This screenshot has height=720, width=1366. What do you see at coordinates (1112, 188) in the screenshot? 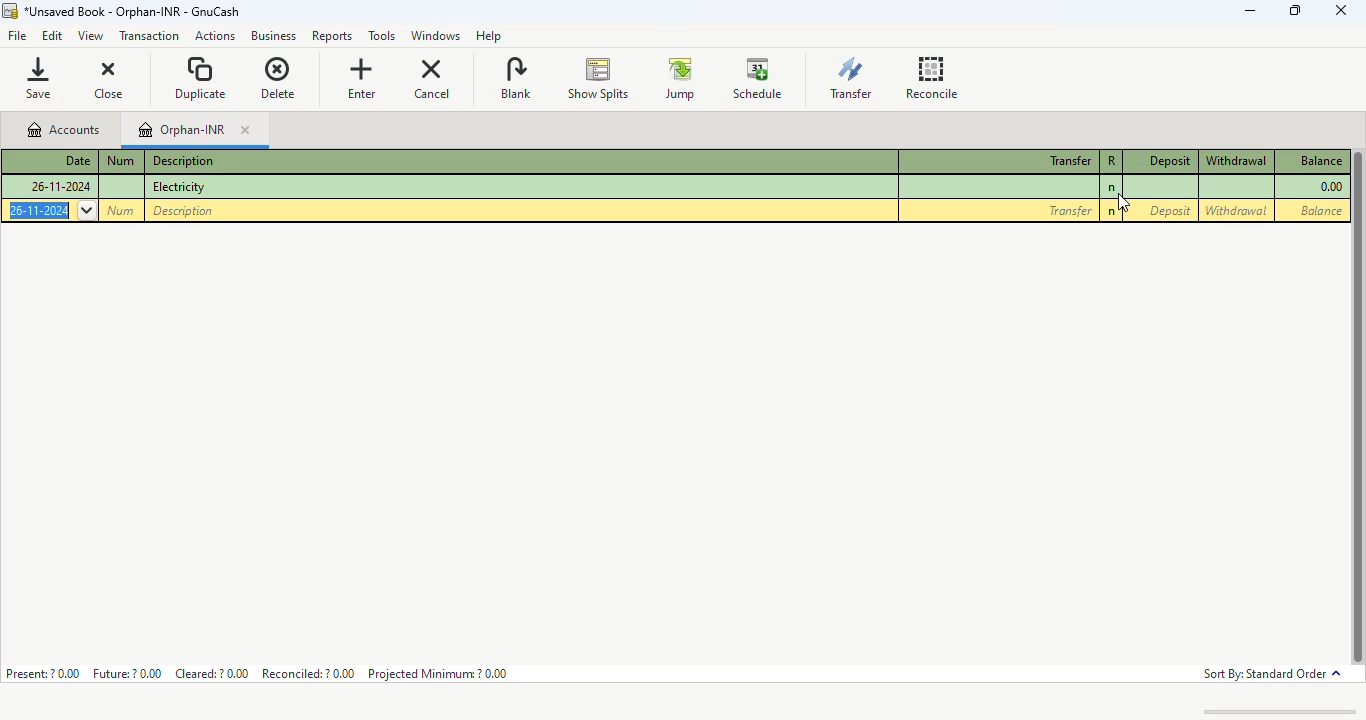
I see `not cleared` at bounding box center [1112, 188].